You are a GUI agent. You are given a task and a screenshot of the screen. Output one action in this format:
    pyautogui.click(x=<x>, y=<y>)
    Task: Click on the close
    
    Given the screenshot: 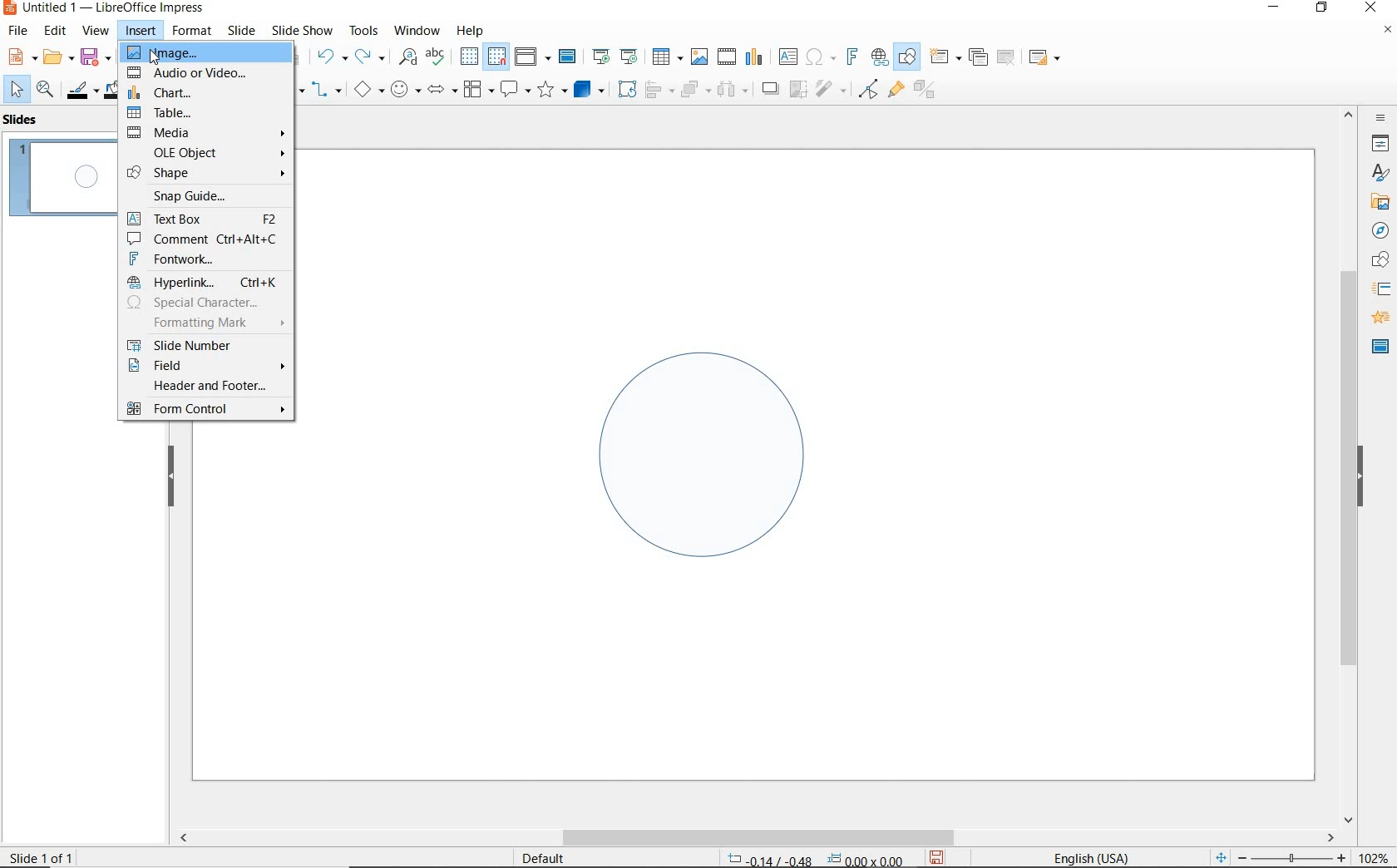 What is the action you would take?
    pyautogui.click(x=1370, y=8)
    